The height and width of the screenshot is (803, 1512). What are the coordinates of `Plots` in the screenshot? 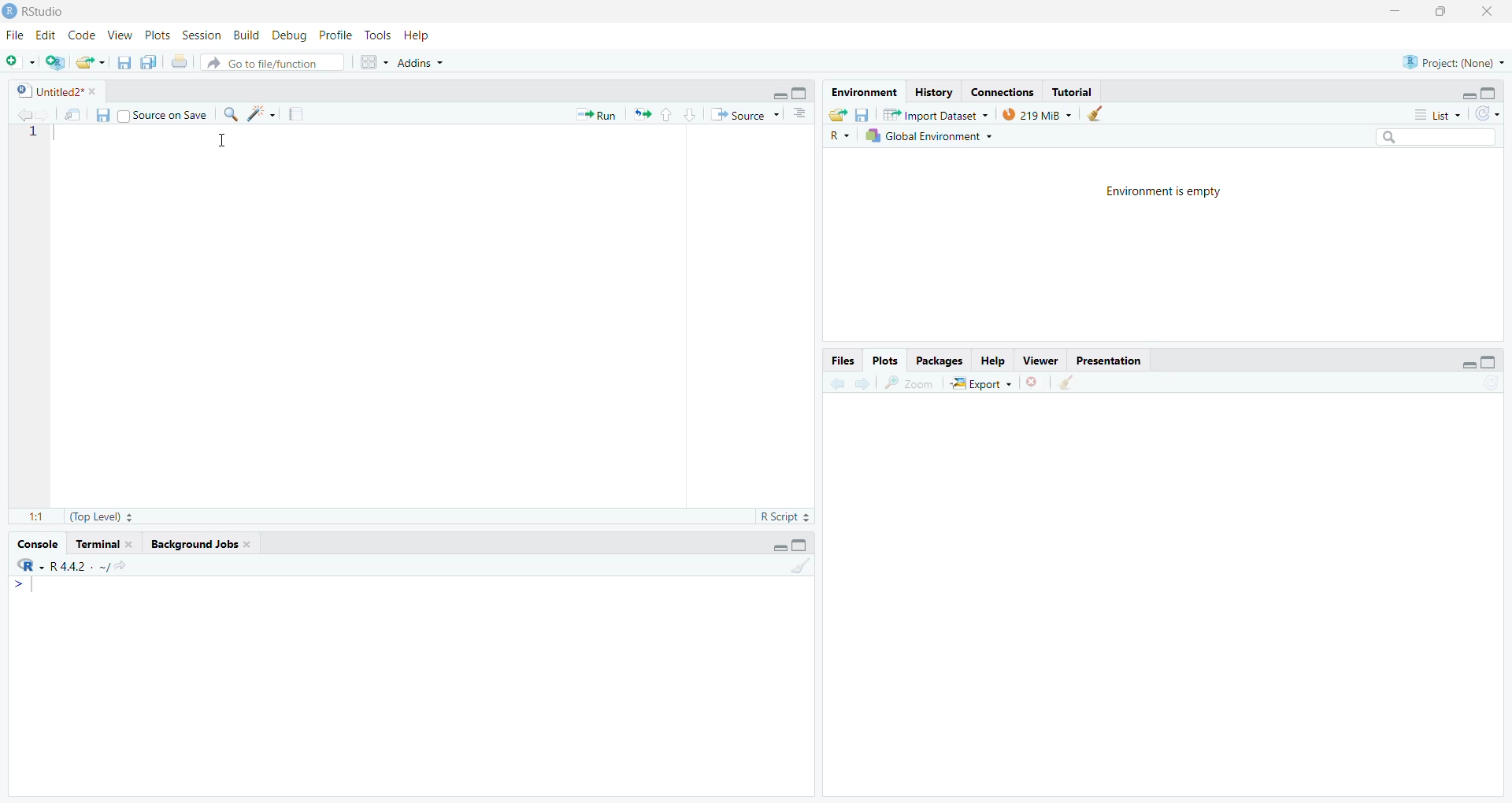 It's located at (158, 35).